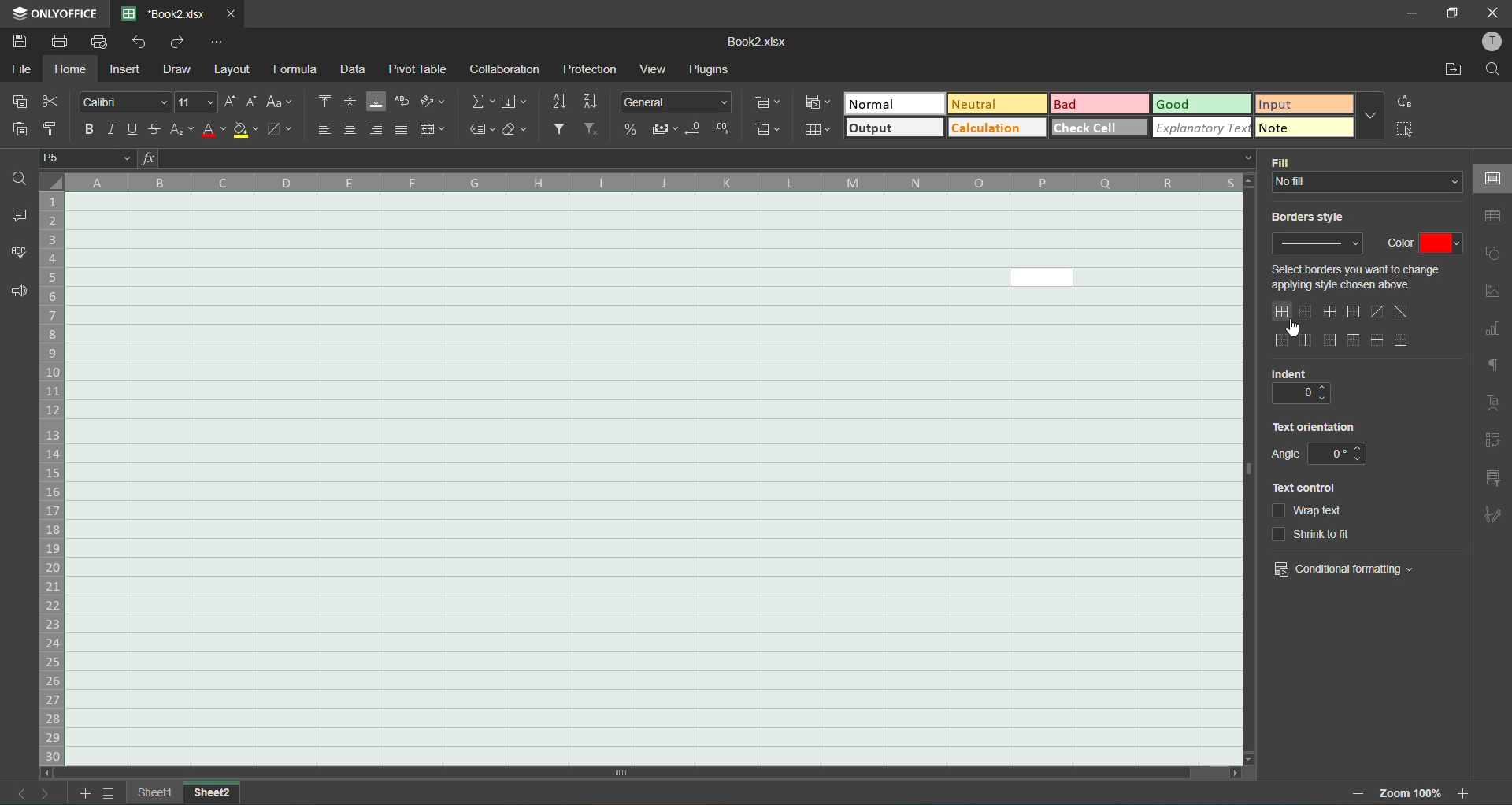 The width and height of the screenshot is (1512, 805). I want to click on filter, so click(564, 129).